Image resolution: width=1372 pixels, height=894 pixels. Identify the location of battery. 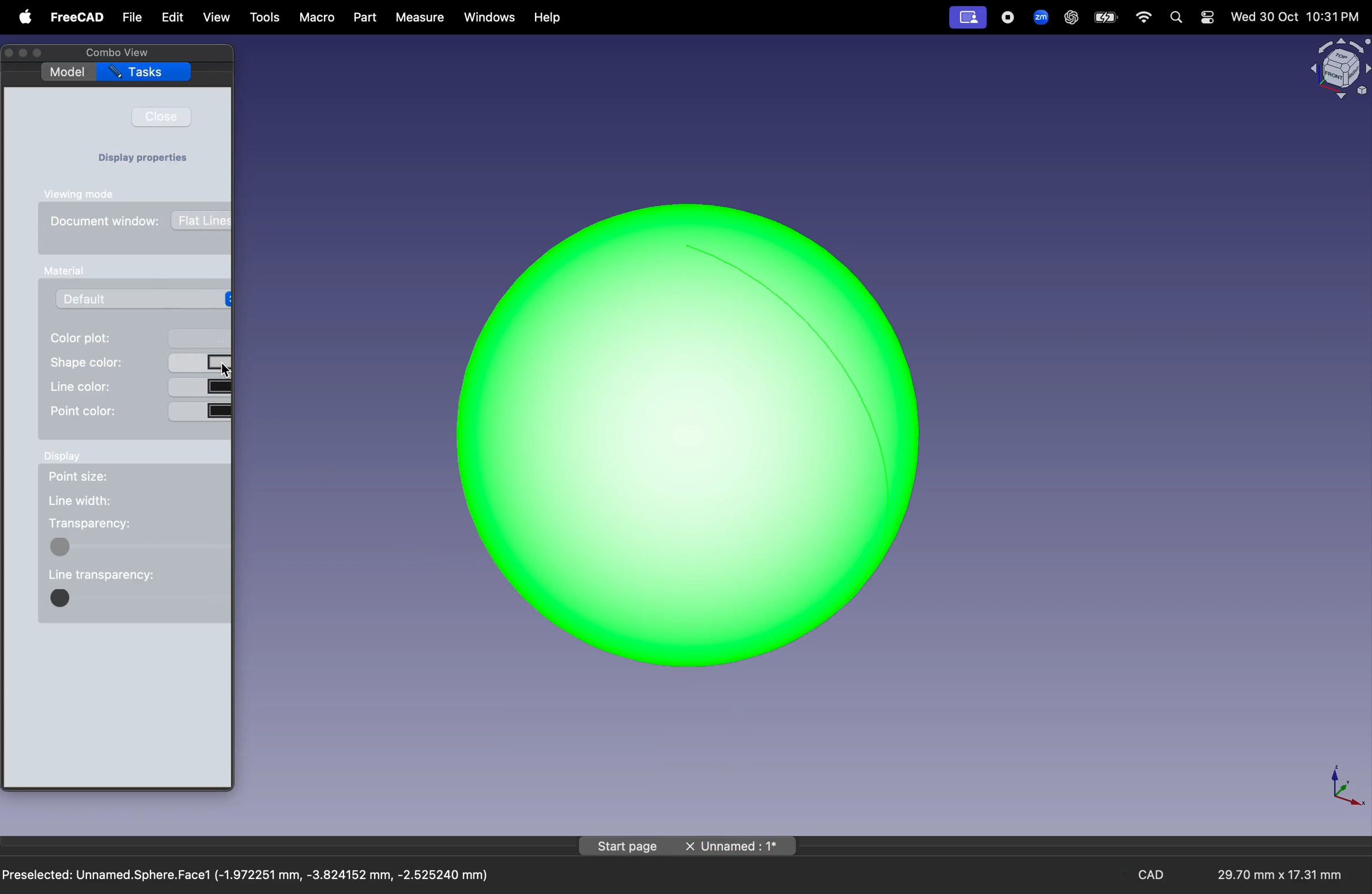
(1106, 18).